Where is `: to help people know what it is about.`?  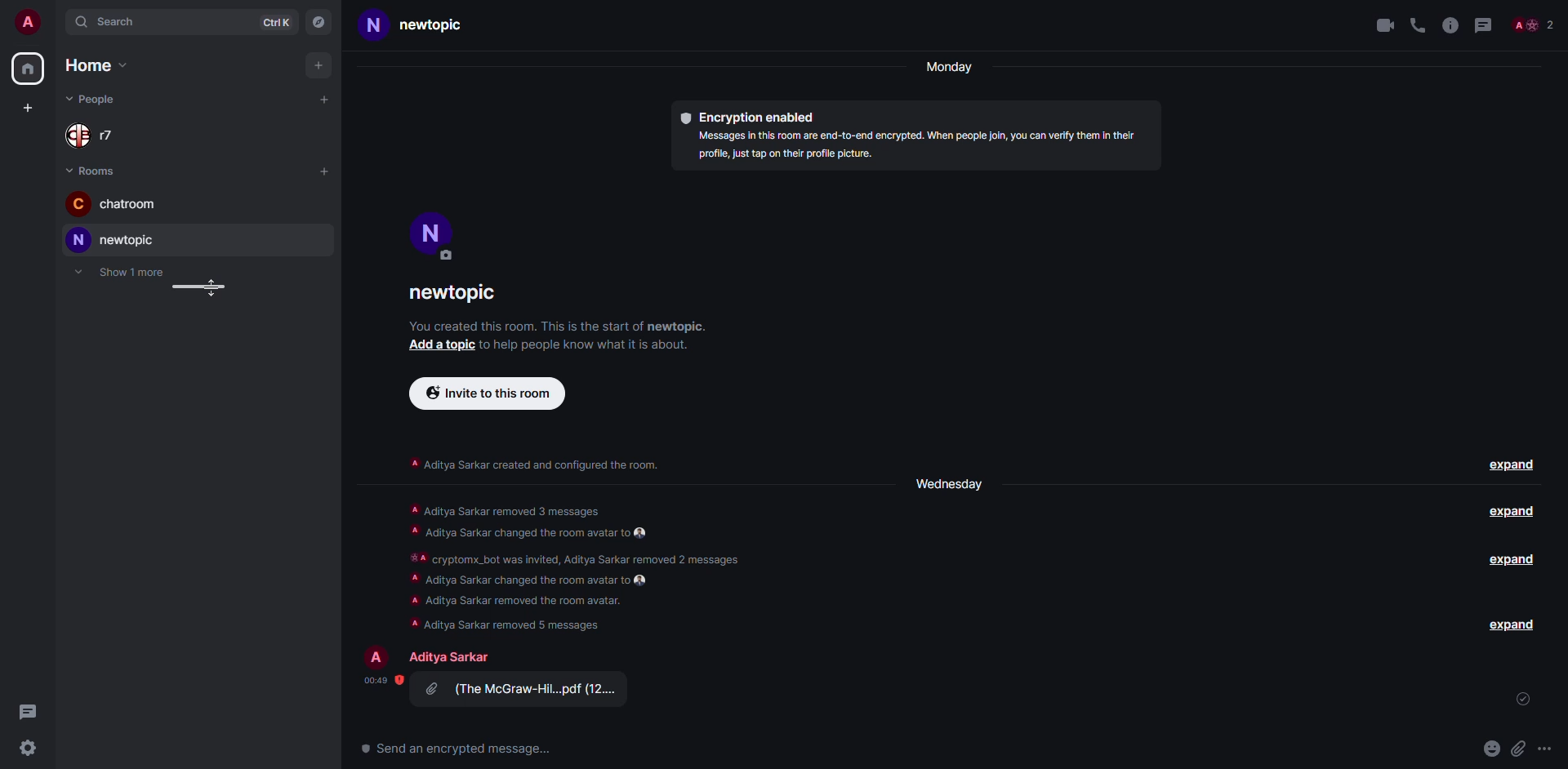
: to help people know what it is about. is located at coordinates (595, 347).